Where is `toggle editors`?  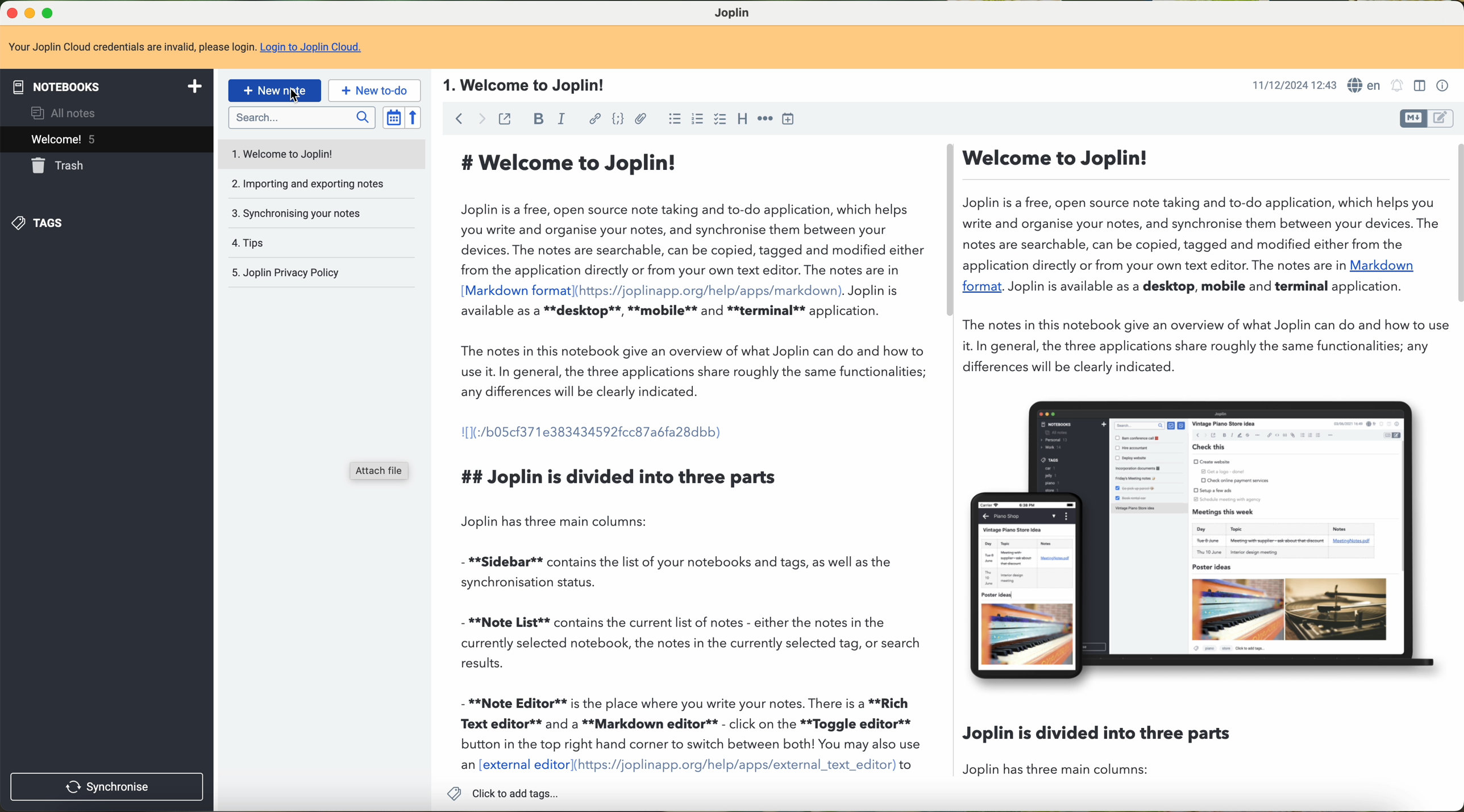
toggle editors is located at coordinates (1443, 120).